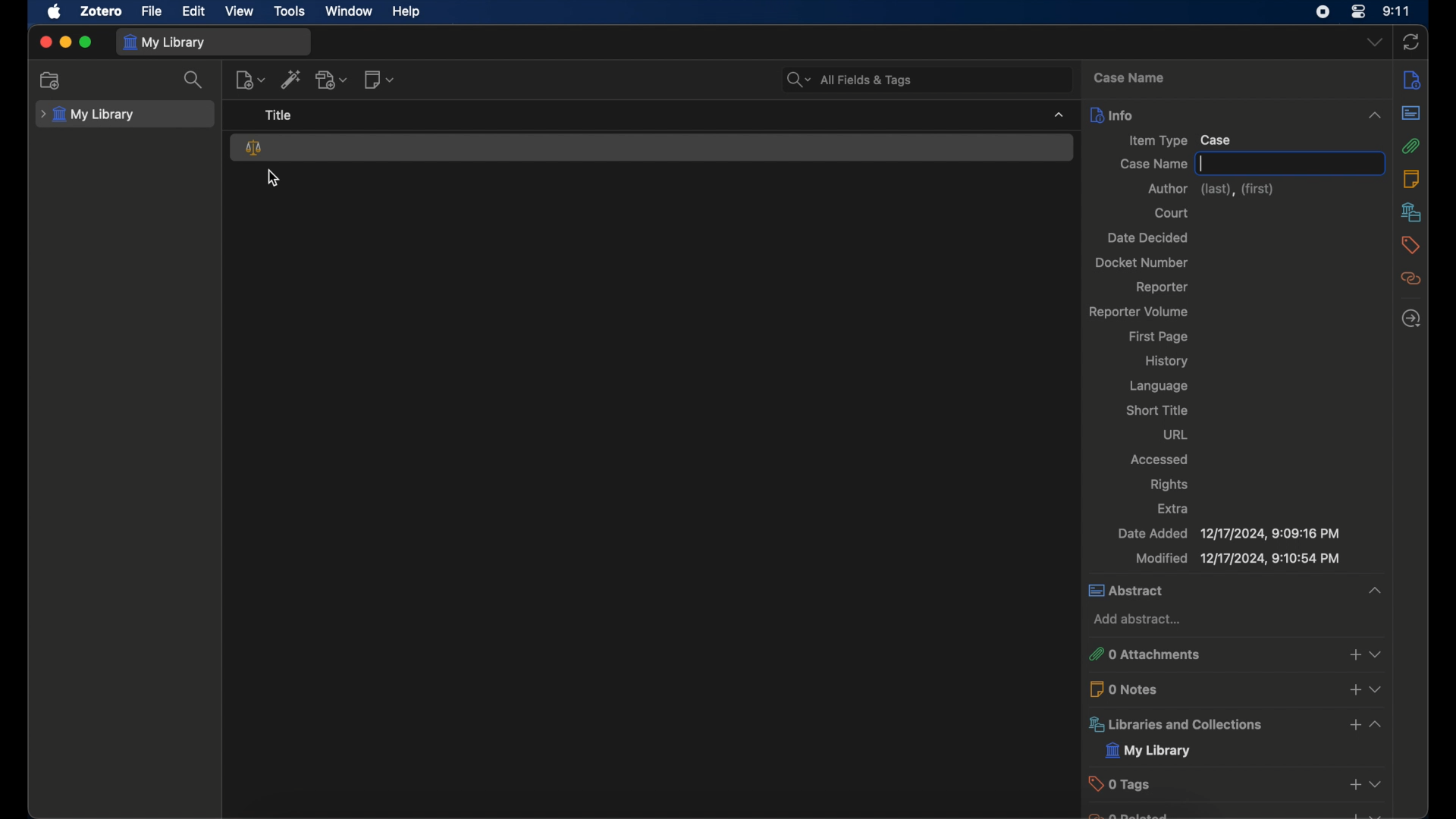 This screenshot has height=819, width=1456. What do you see at coordinates (152, 12) in the screenshot?
I see `file` at bounding box center [152, 12].